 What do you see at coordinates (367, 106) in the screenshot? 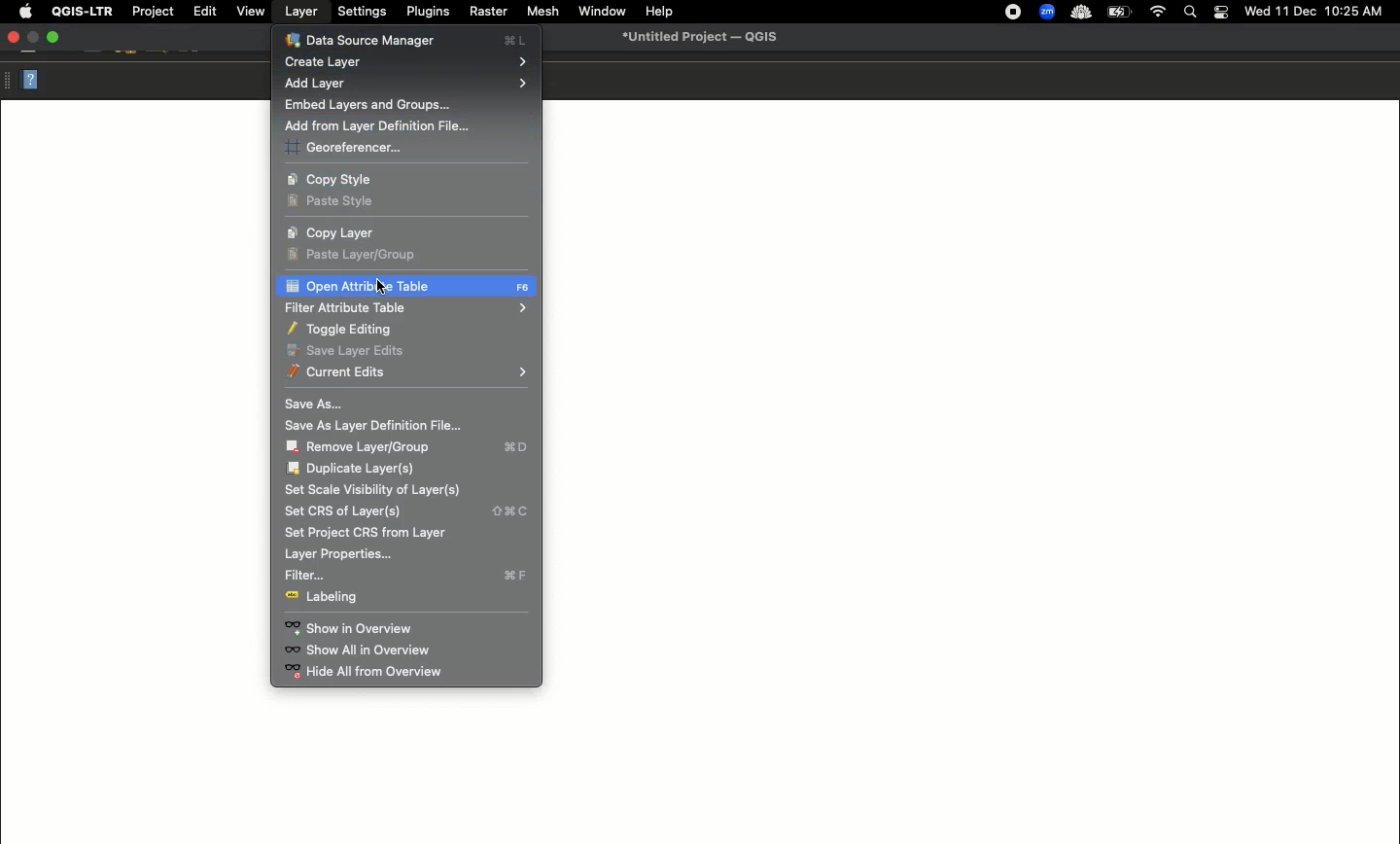
I see `Embed layers and groups` at bounding box center [367, 106].